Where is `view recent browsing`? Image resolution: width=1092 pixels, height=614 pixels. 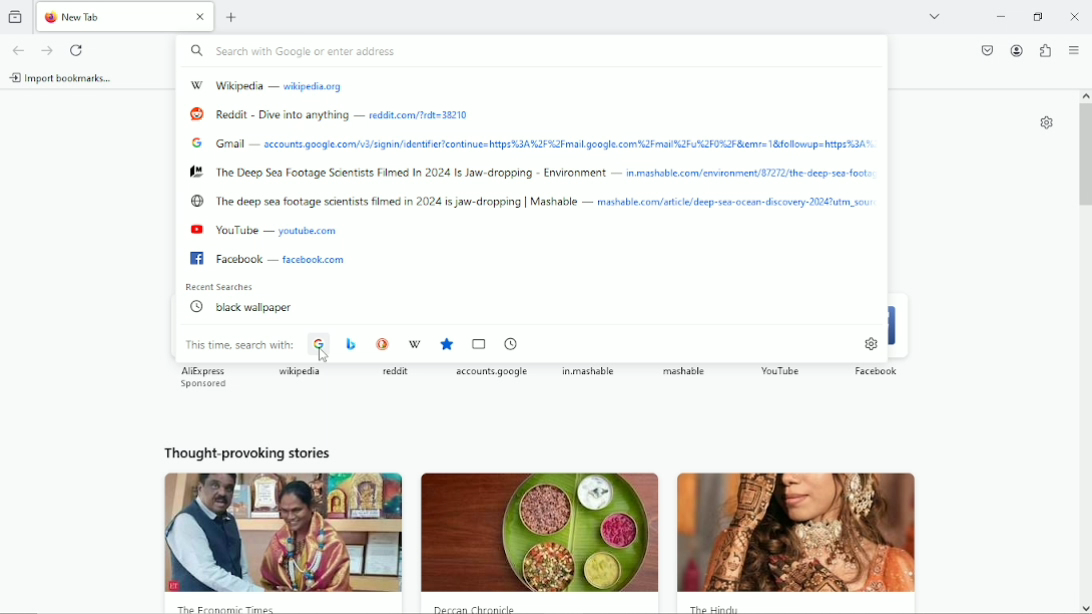
view recent browsing is located at coordinates (15, 17).